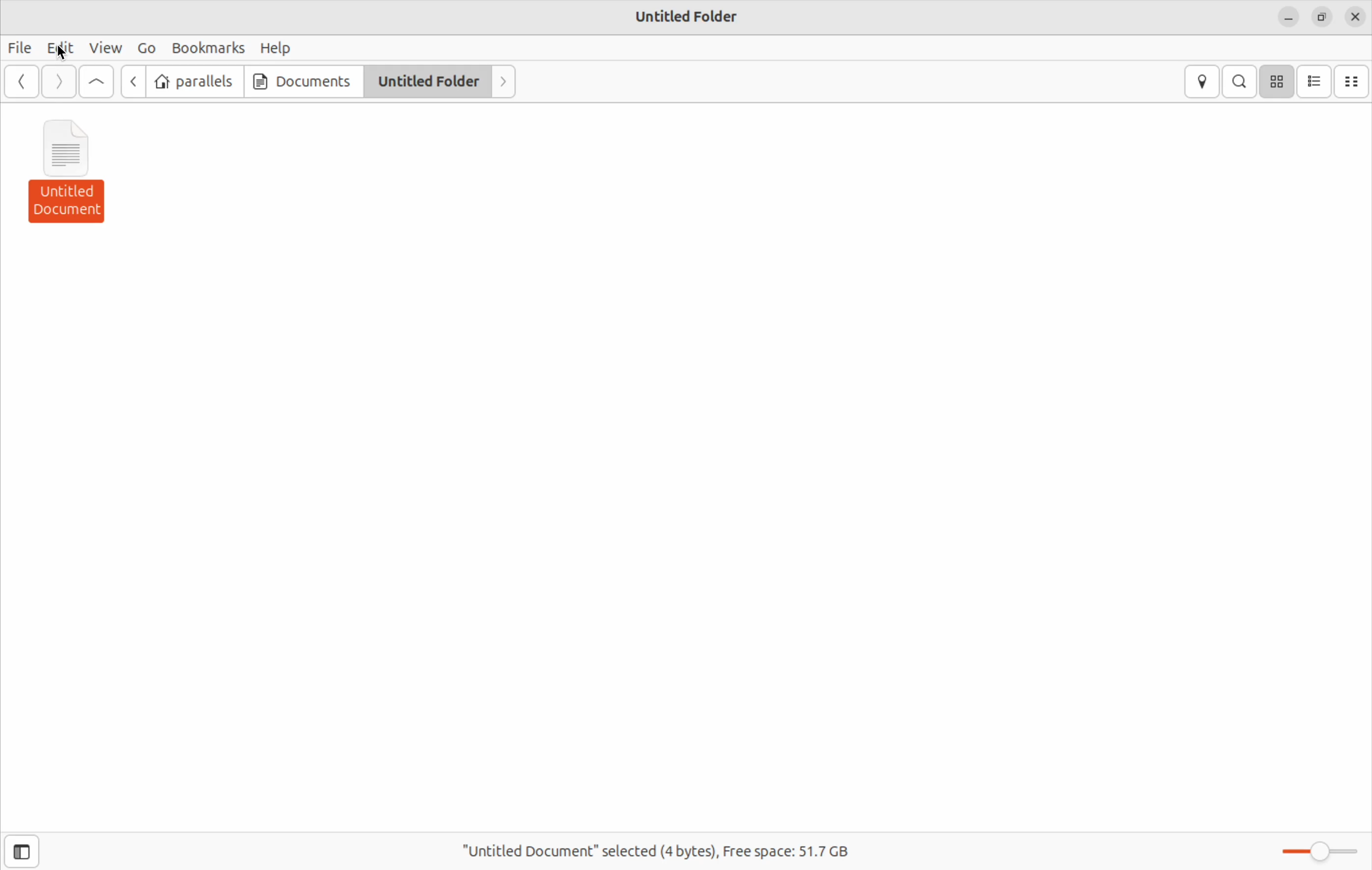  What do you see at coordinates (668, 847) in the screenshot?
I see `"Untitled Document” selected (4 bytes), Free space: 51.7 GB` at bounding box center [668, 847].